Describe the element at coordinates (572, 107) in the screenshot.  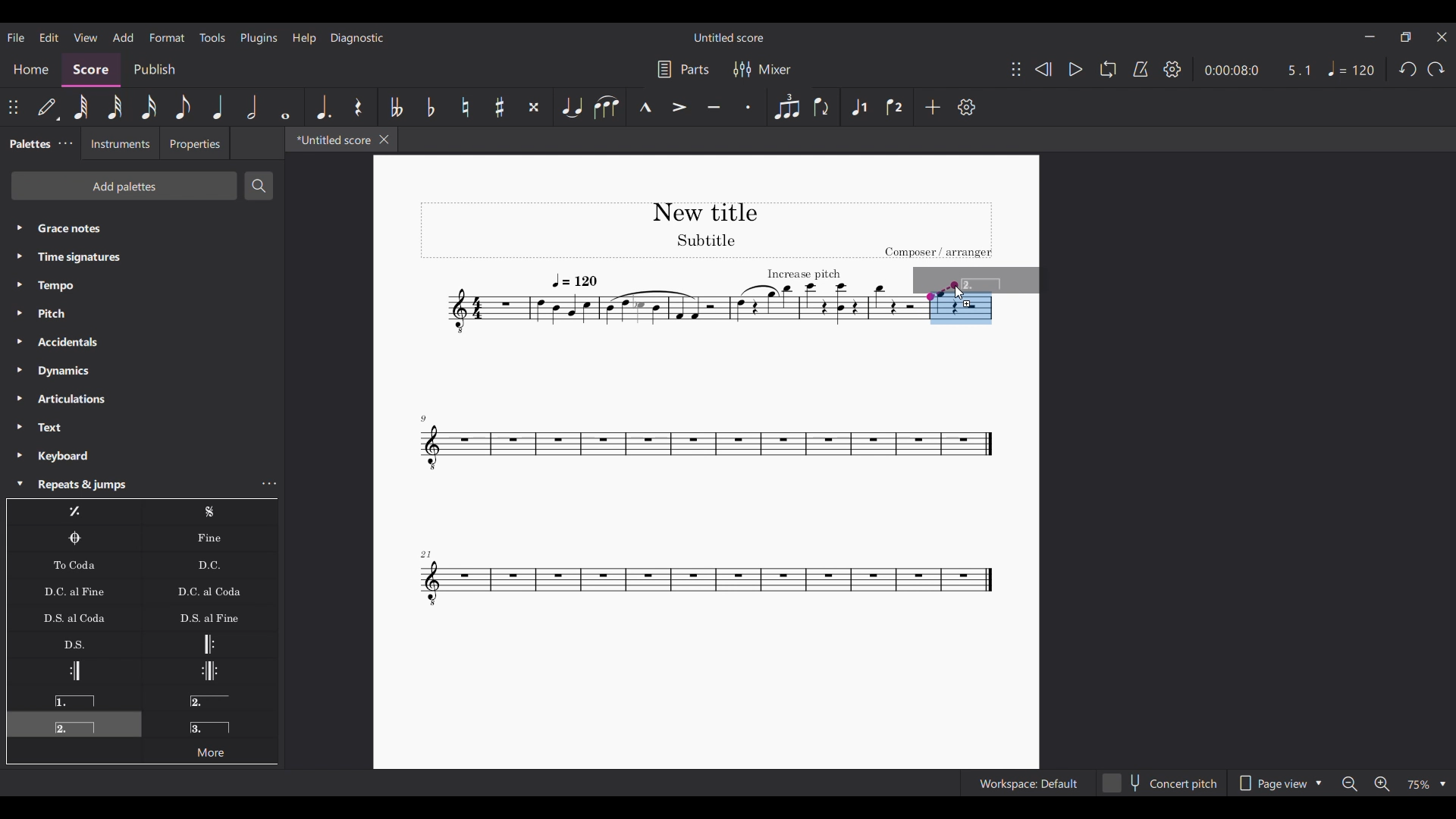
I see `Tie` at that location.